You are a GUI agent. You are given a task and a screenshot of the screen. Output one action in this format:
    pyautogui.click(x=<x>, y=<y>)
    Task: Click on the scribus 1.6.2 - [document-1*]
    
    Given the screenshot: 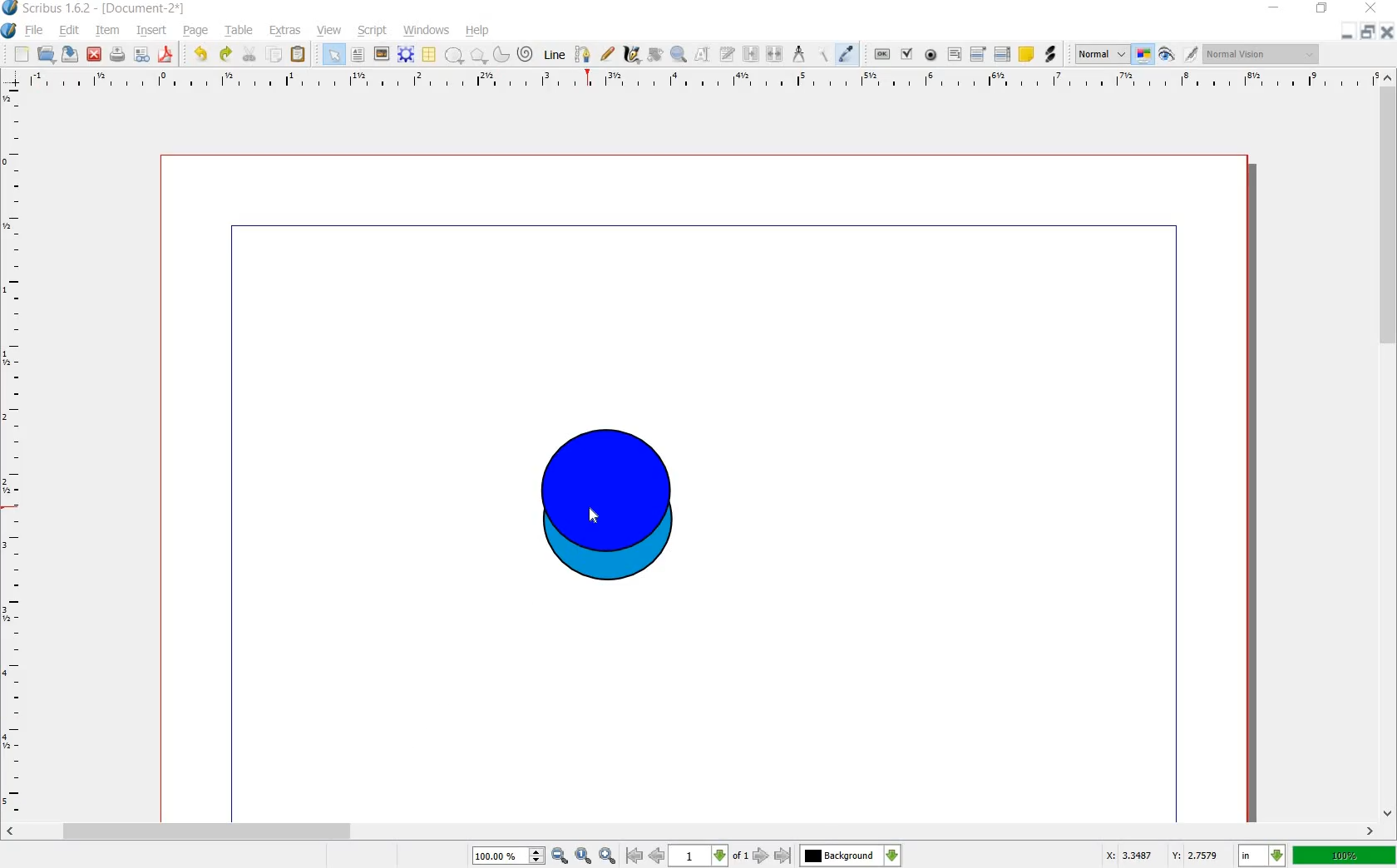 What is the action you would take?
    pyautogui.click(x=96, y=8)
    